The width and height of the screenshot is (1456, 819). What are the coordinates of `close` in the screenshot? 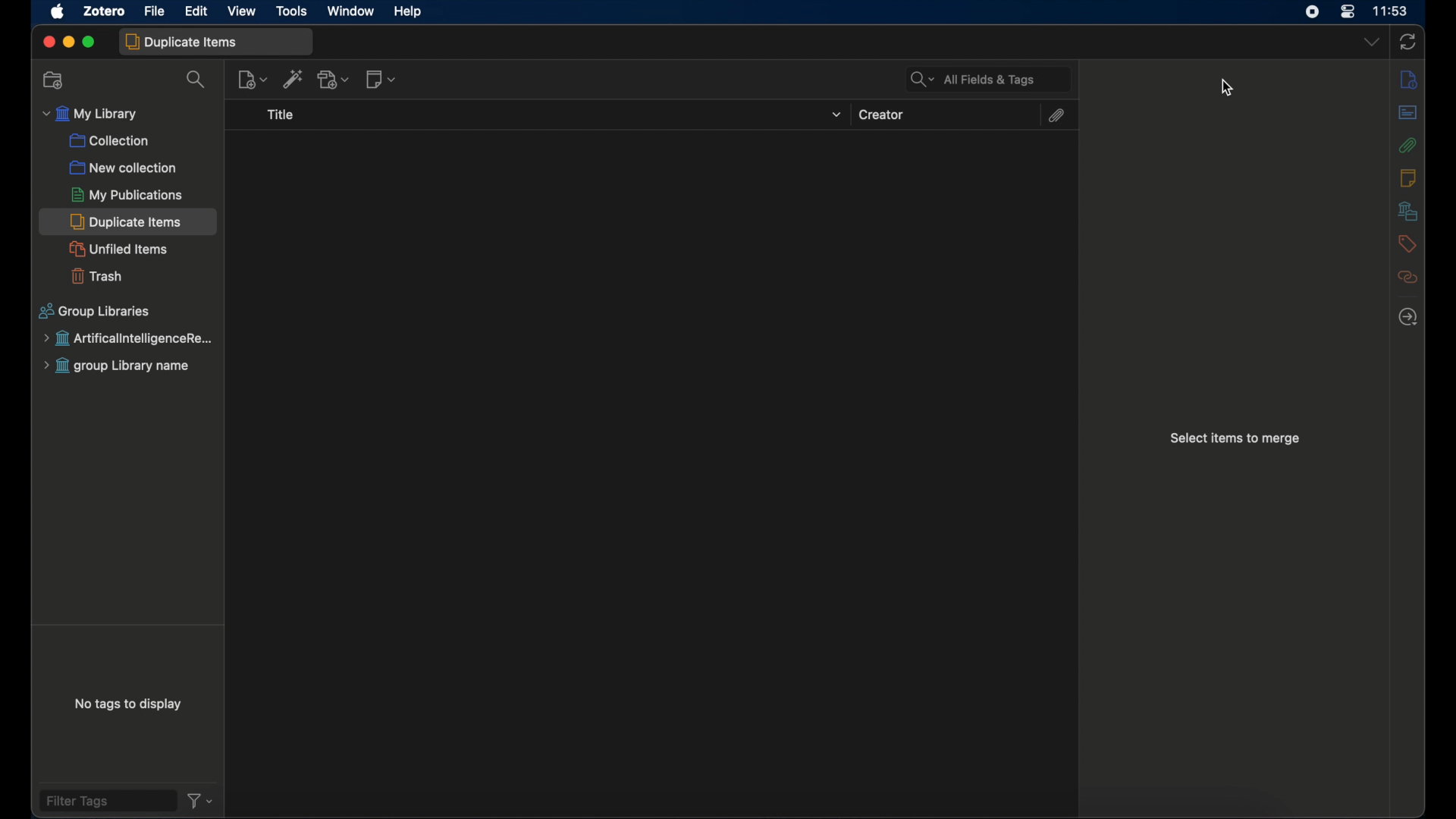 It's located at (47, 41).